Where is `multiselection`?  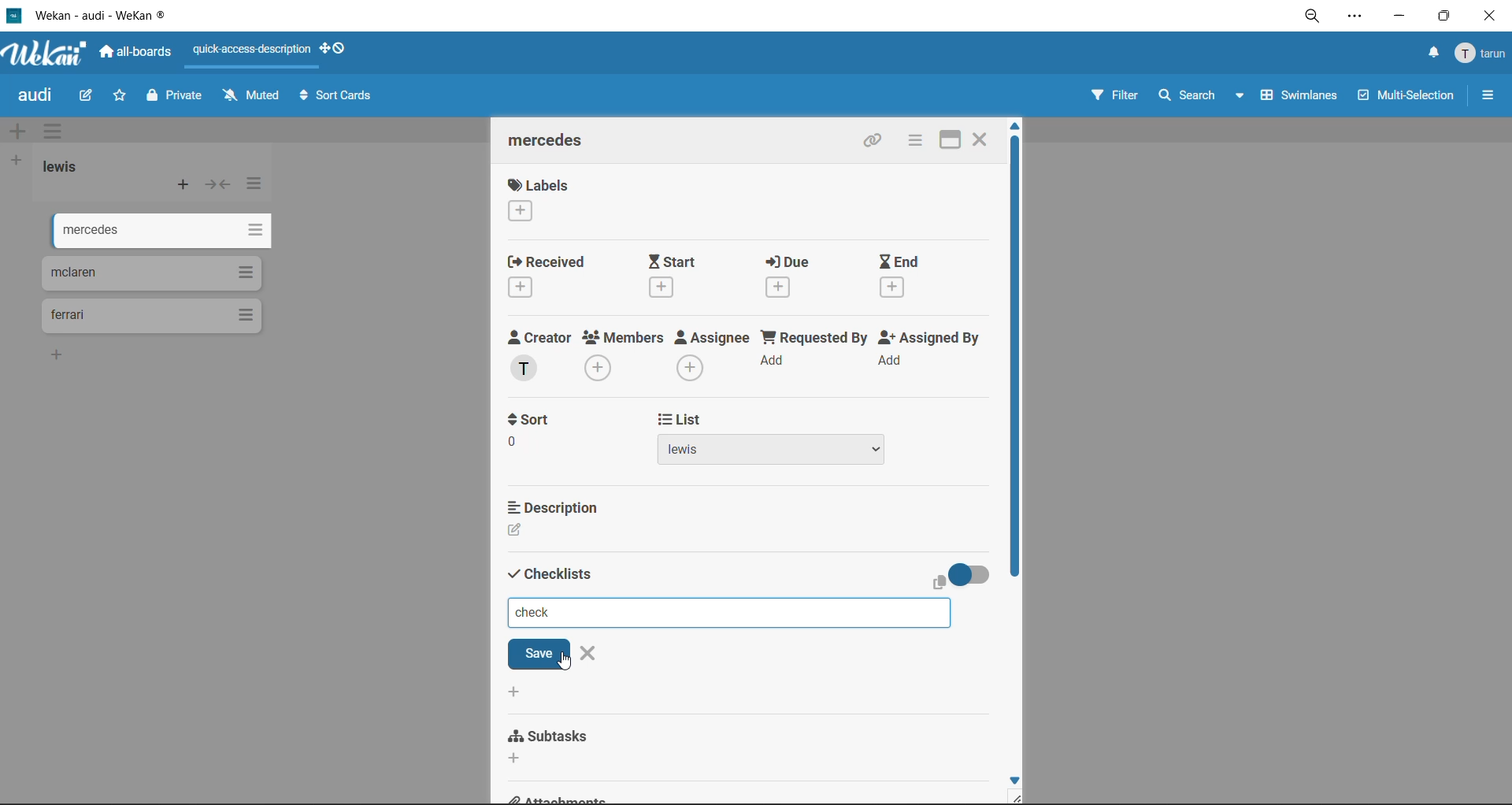
multiselection is located at coordinates (1407, 98).